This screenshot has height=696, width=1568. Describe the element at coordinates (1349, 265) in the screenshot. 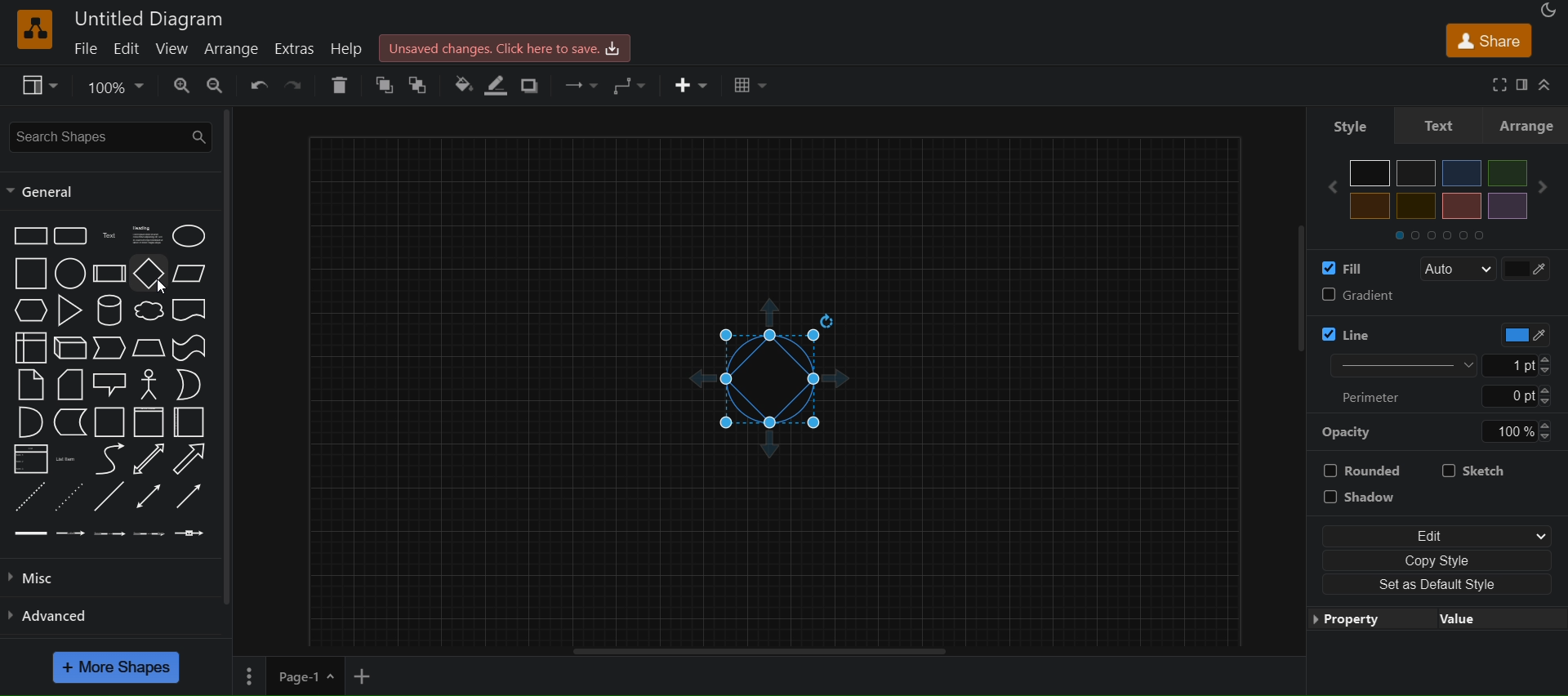

I see `fill color` at that location.